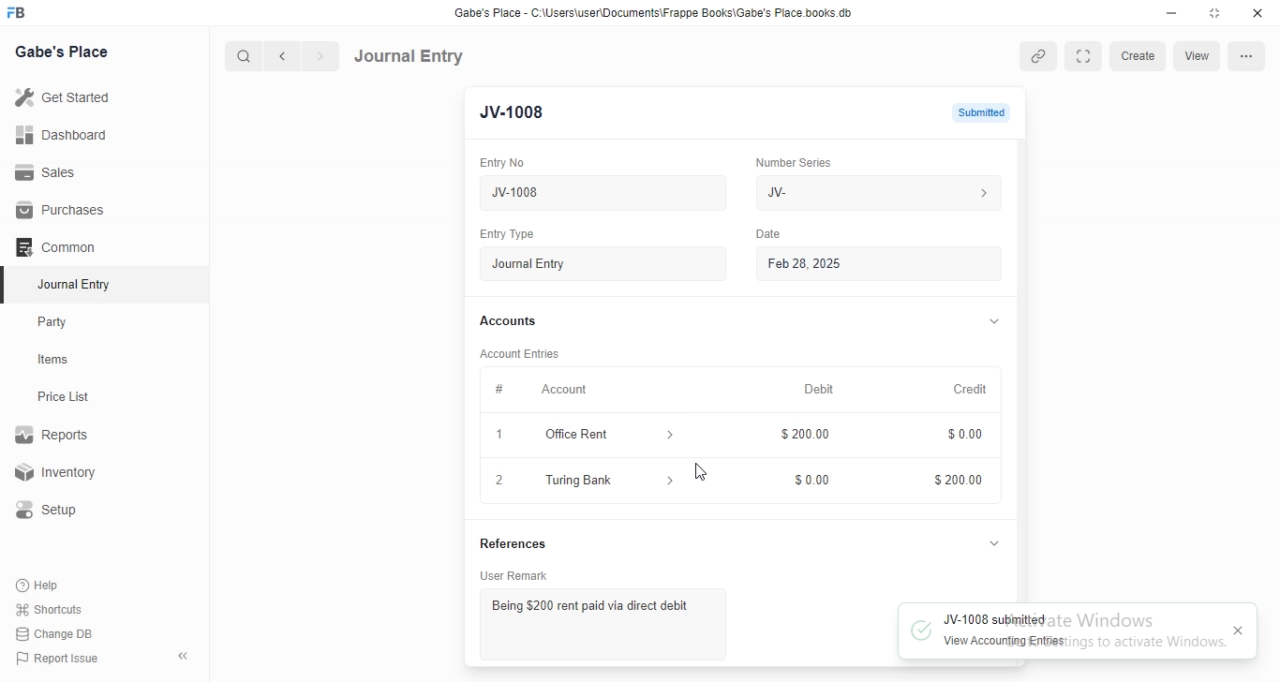 This screenshot has height=682, width=1280. Describe the element at coordinates (497, 435) in the screenshot. I see `1` at that location.